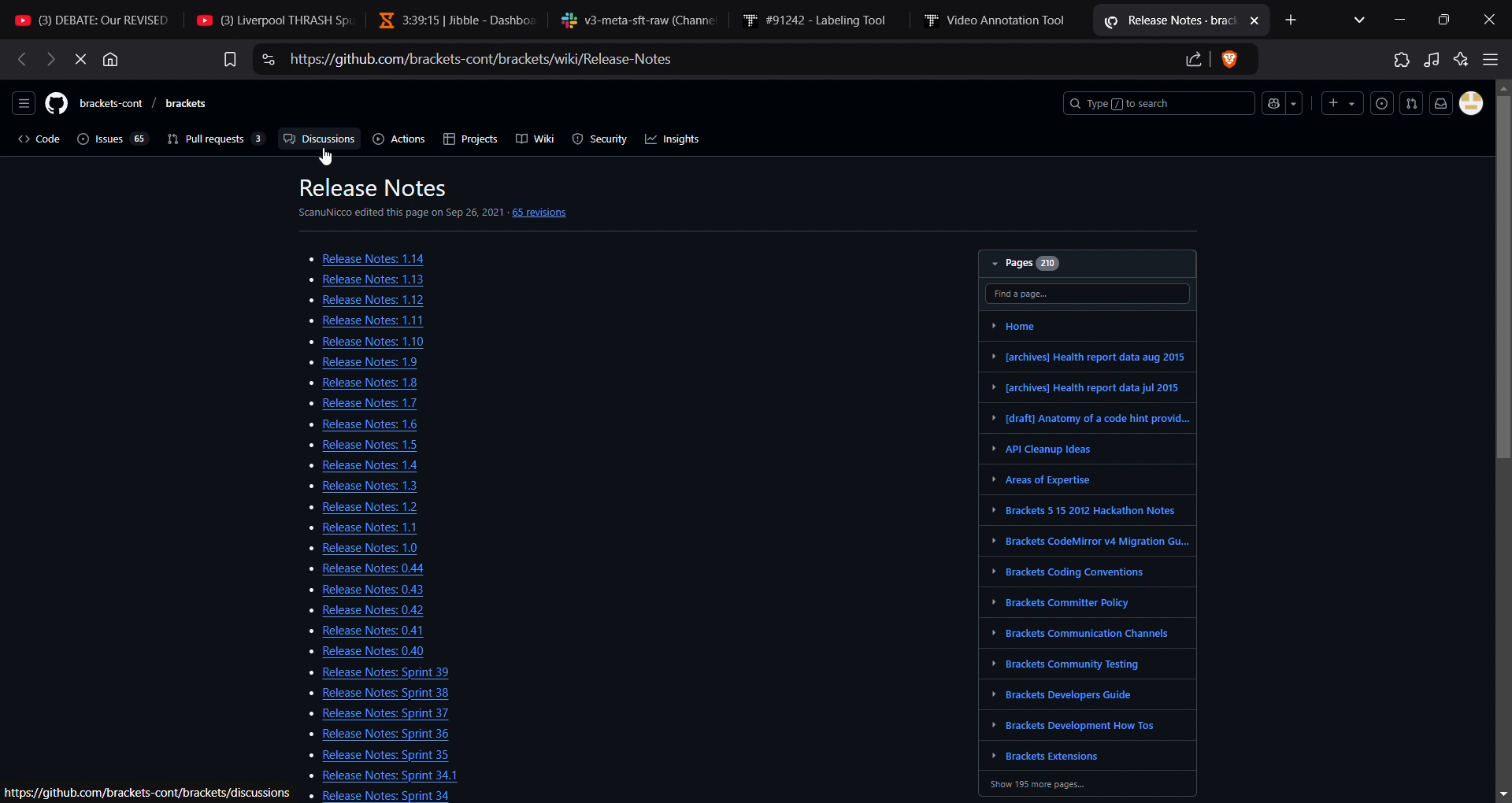 The image size is (1512, 803). I want to click on pages 270, so click(1088, 265).